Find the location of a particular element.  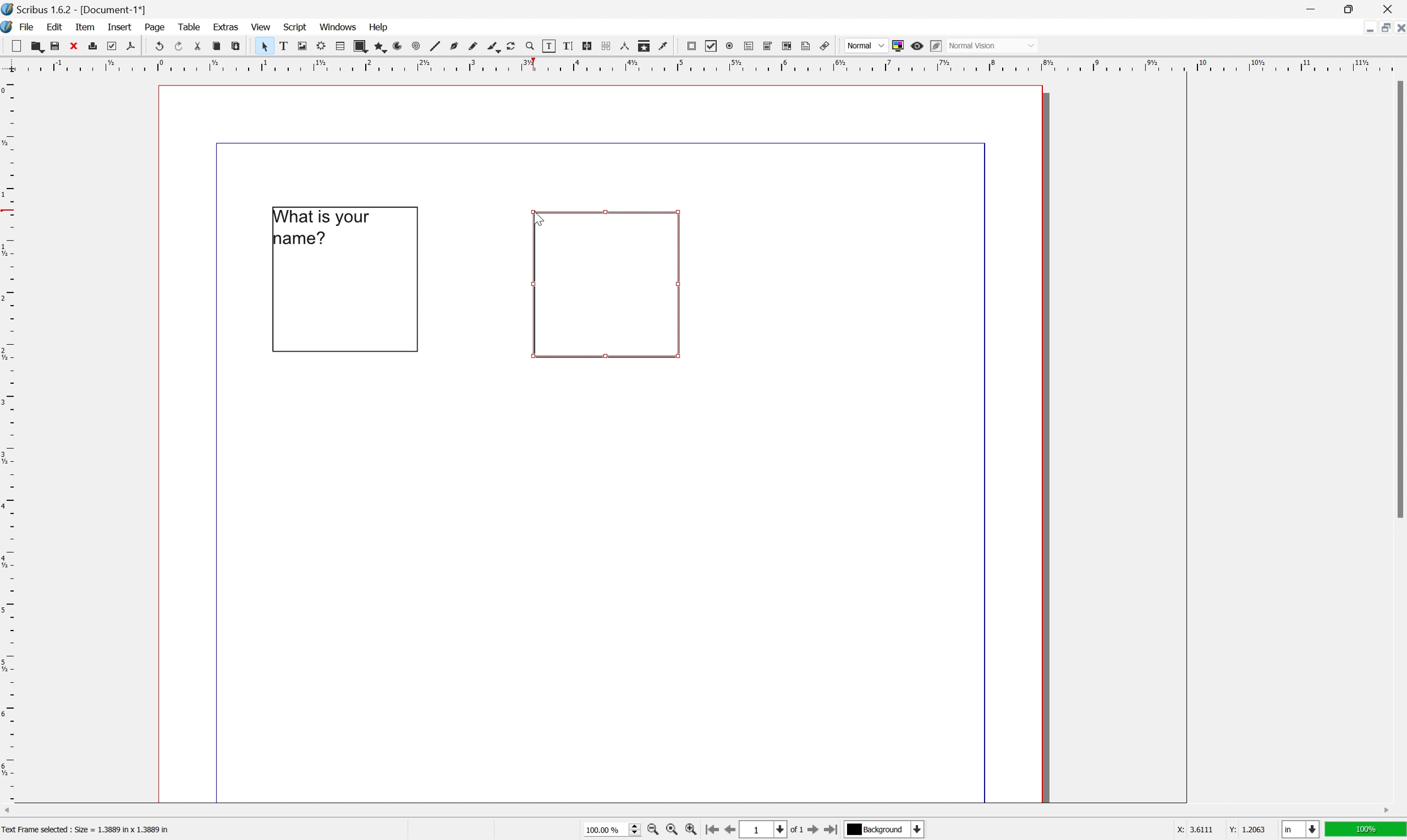

insert is located at coordinates (119, 25).